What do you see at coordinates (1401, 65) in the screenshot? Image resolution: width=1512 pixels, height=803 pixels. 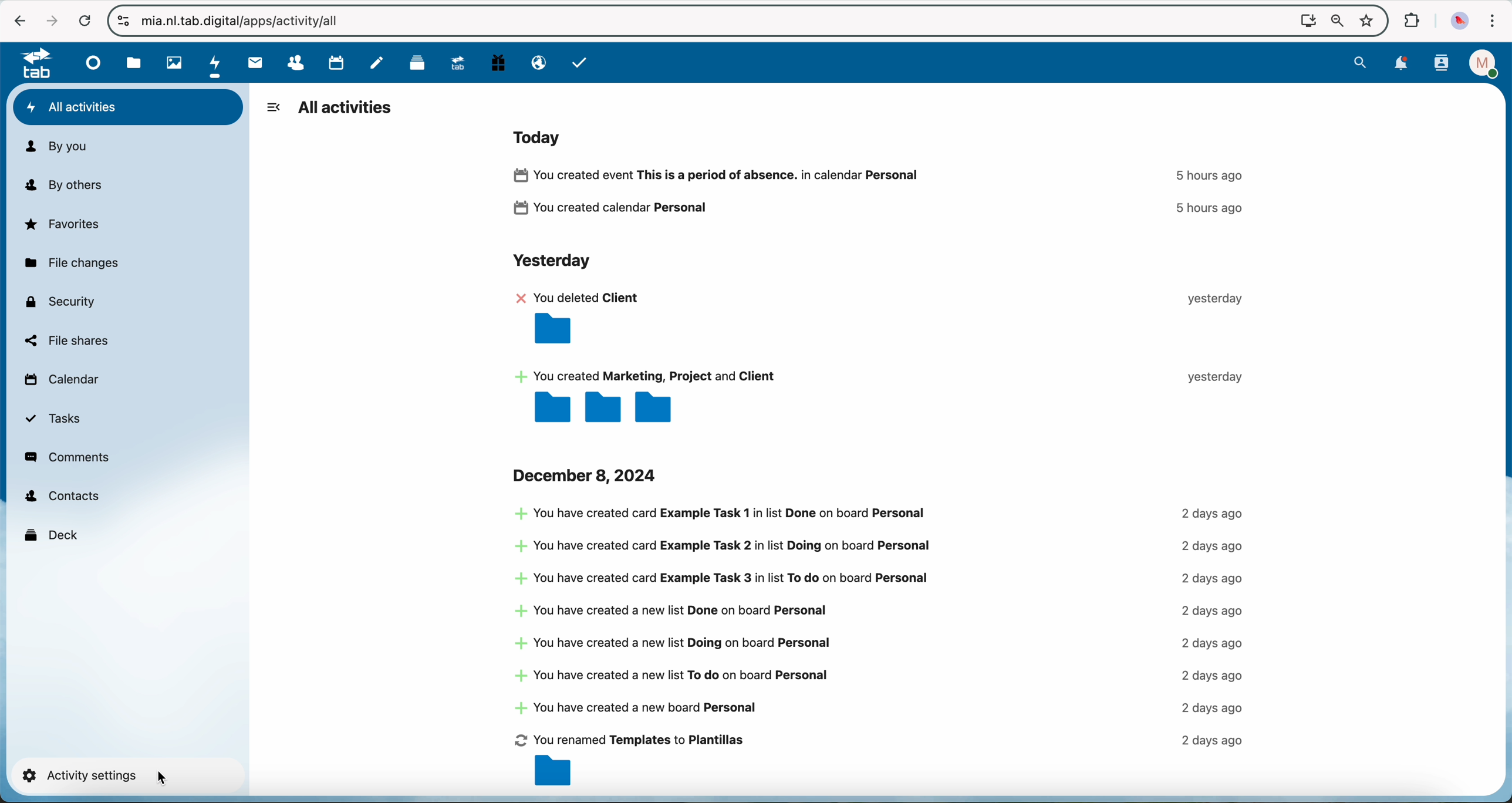 I see `notifications` at bounding box center [1401, 65].